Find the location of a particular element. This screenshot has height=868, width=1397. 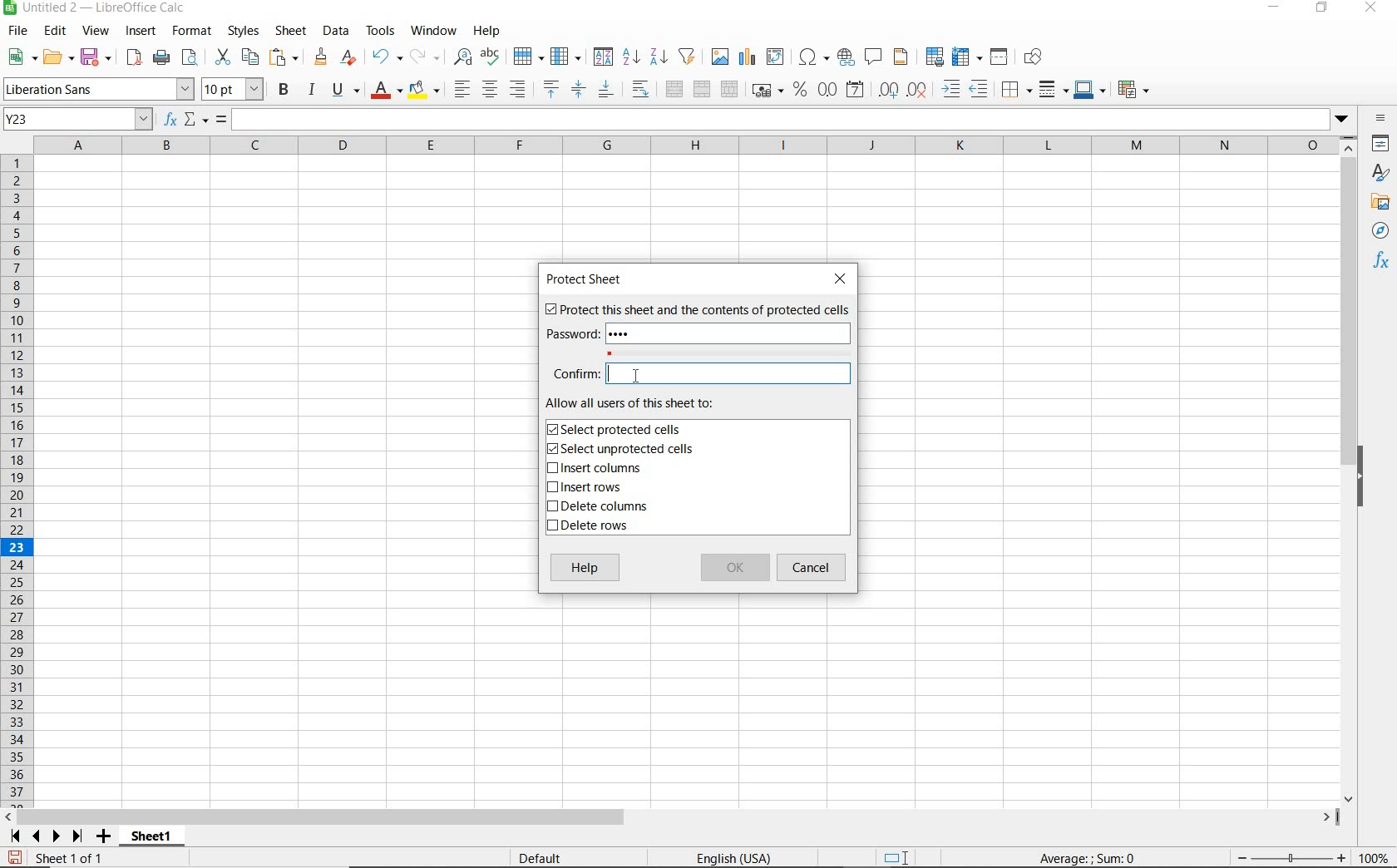

EXPAND FORMULA BAR is located at coordinates (794, 120).